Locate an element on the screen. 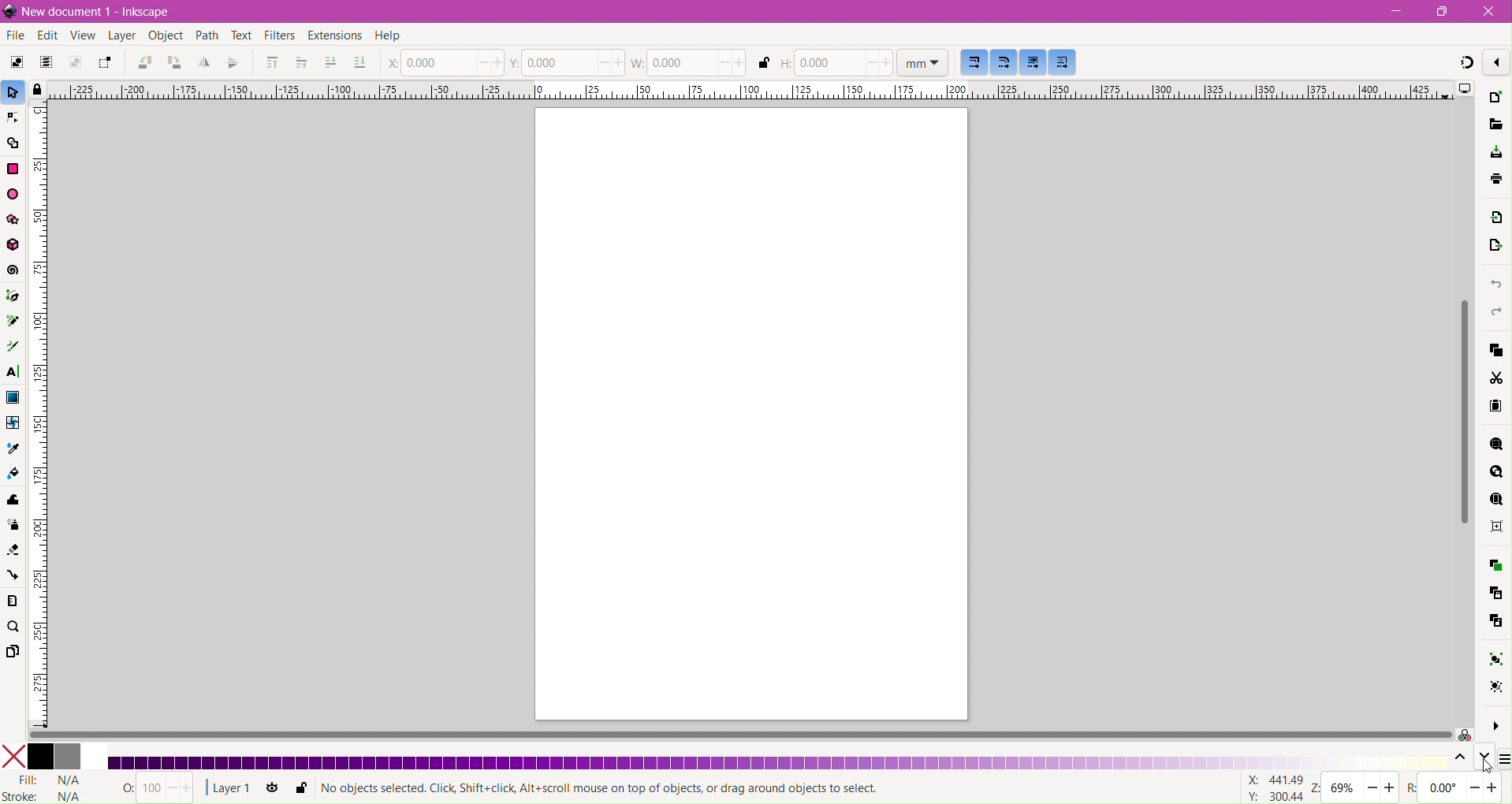 The width and height of the screenshot is (1512, 804). Document Title - Application Name is located at coordinates (101, 12).